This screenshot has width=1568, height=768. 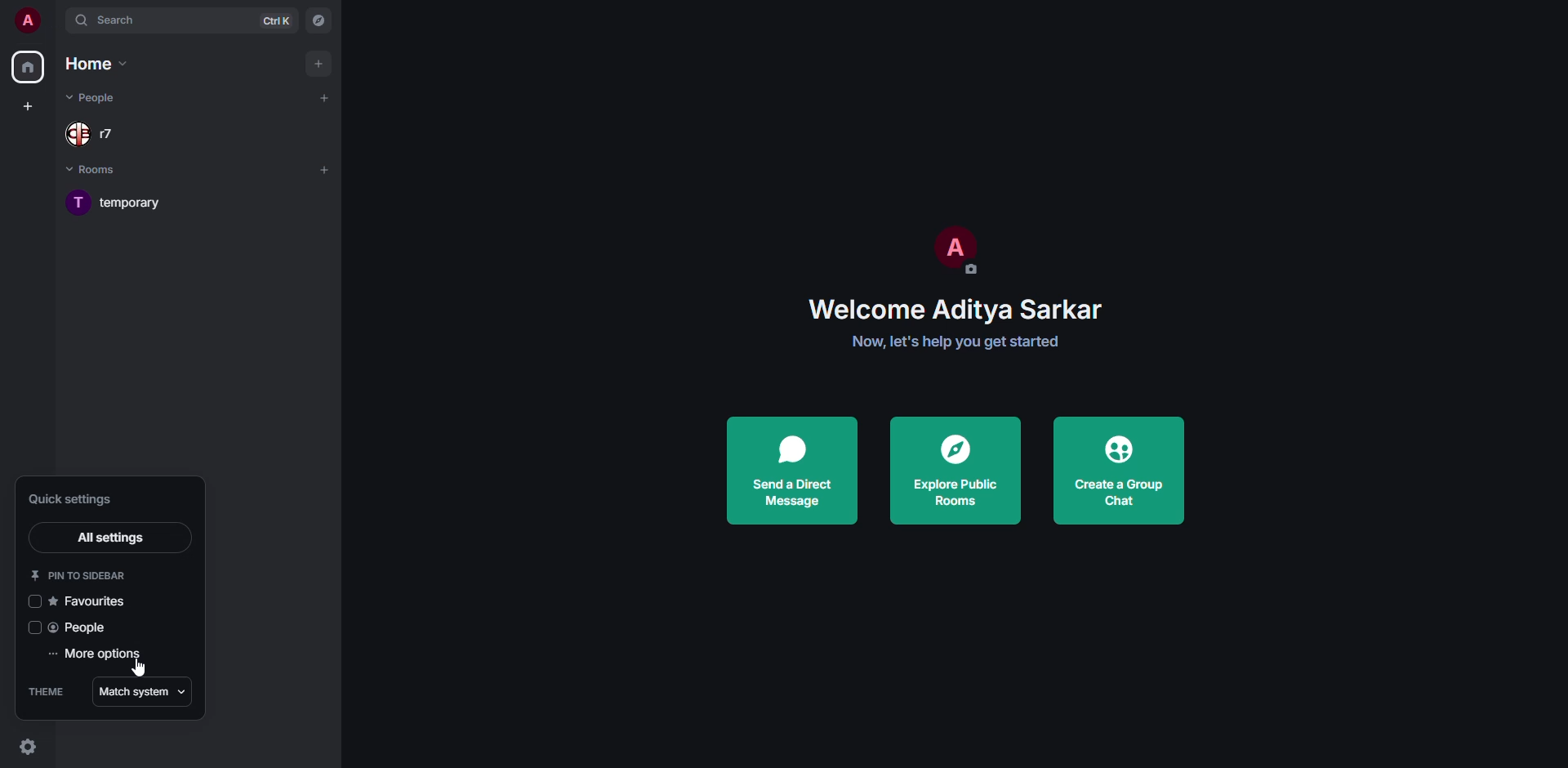 What do you see at coordinates (27, 20) in the screenshot?
I see `profile` at bounding box center [27, 20].